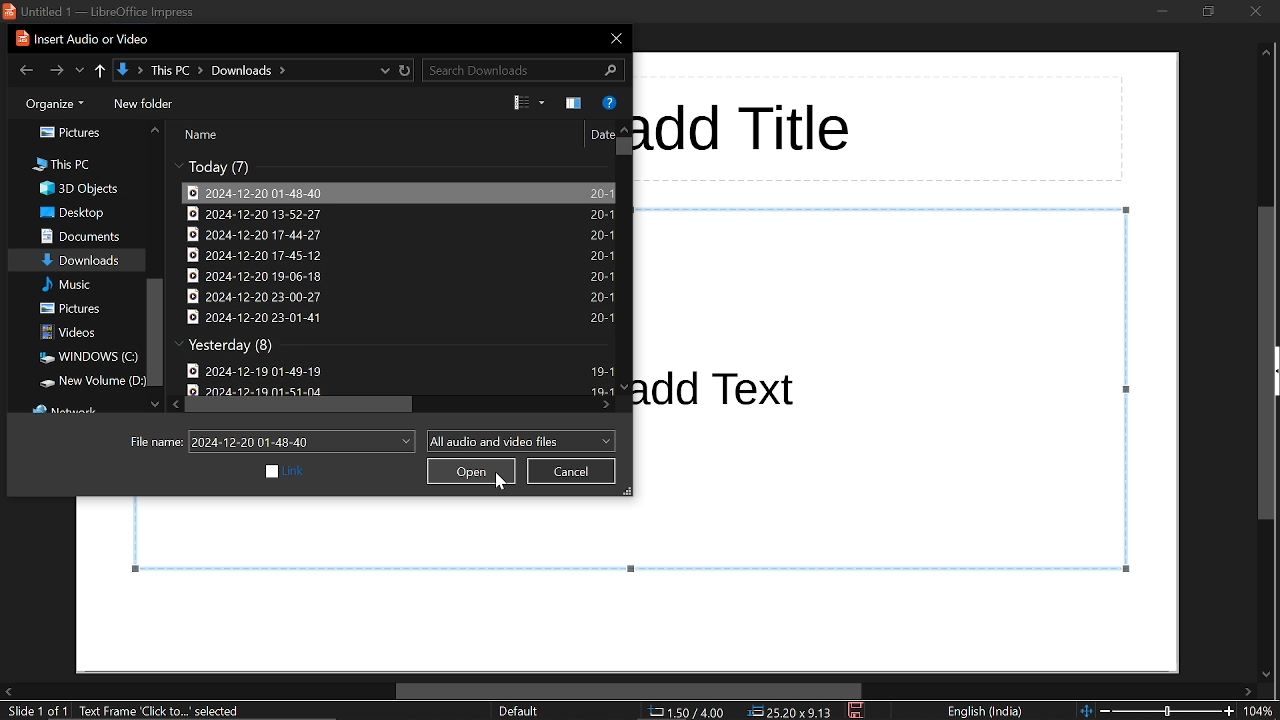  Describe the element at coordinates (1269, 670) in the screenshot. I see `move down` at that location.